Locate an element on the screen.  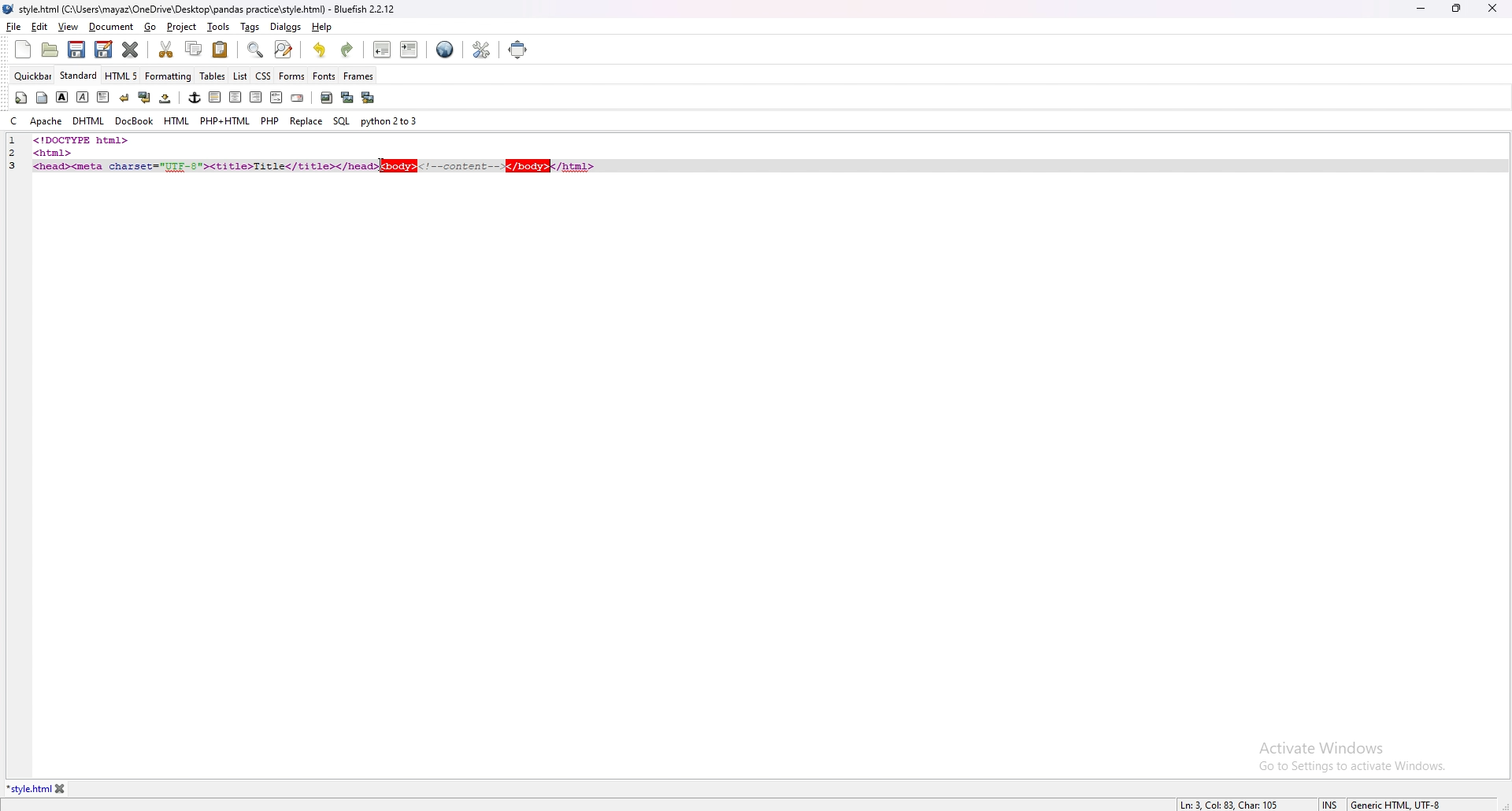
html 5 is located at coordinates (123, 76).